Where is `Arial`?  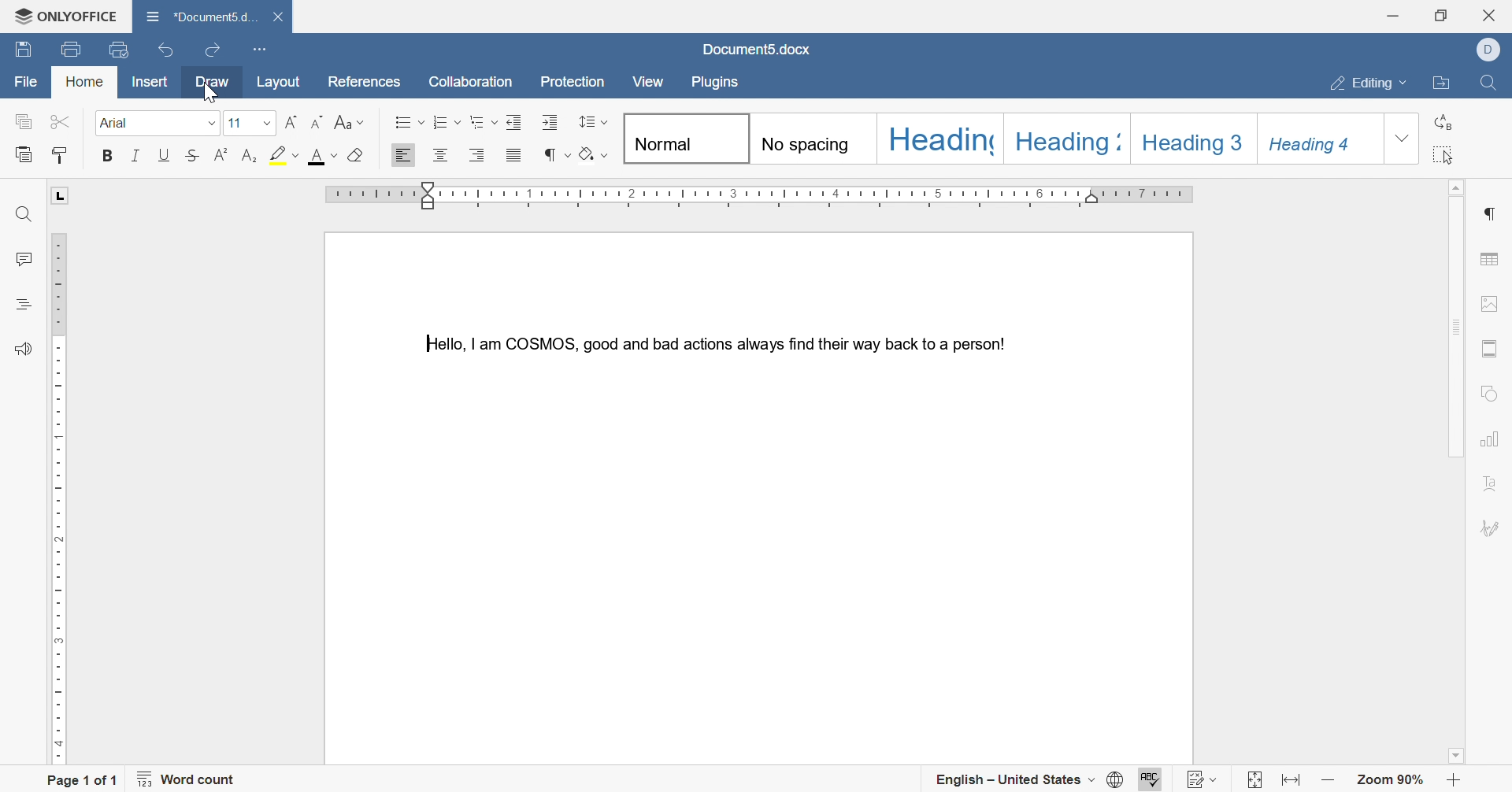
Arial is located at coordinates (157, 124).